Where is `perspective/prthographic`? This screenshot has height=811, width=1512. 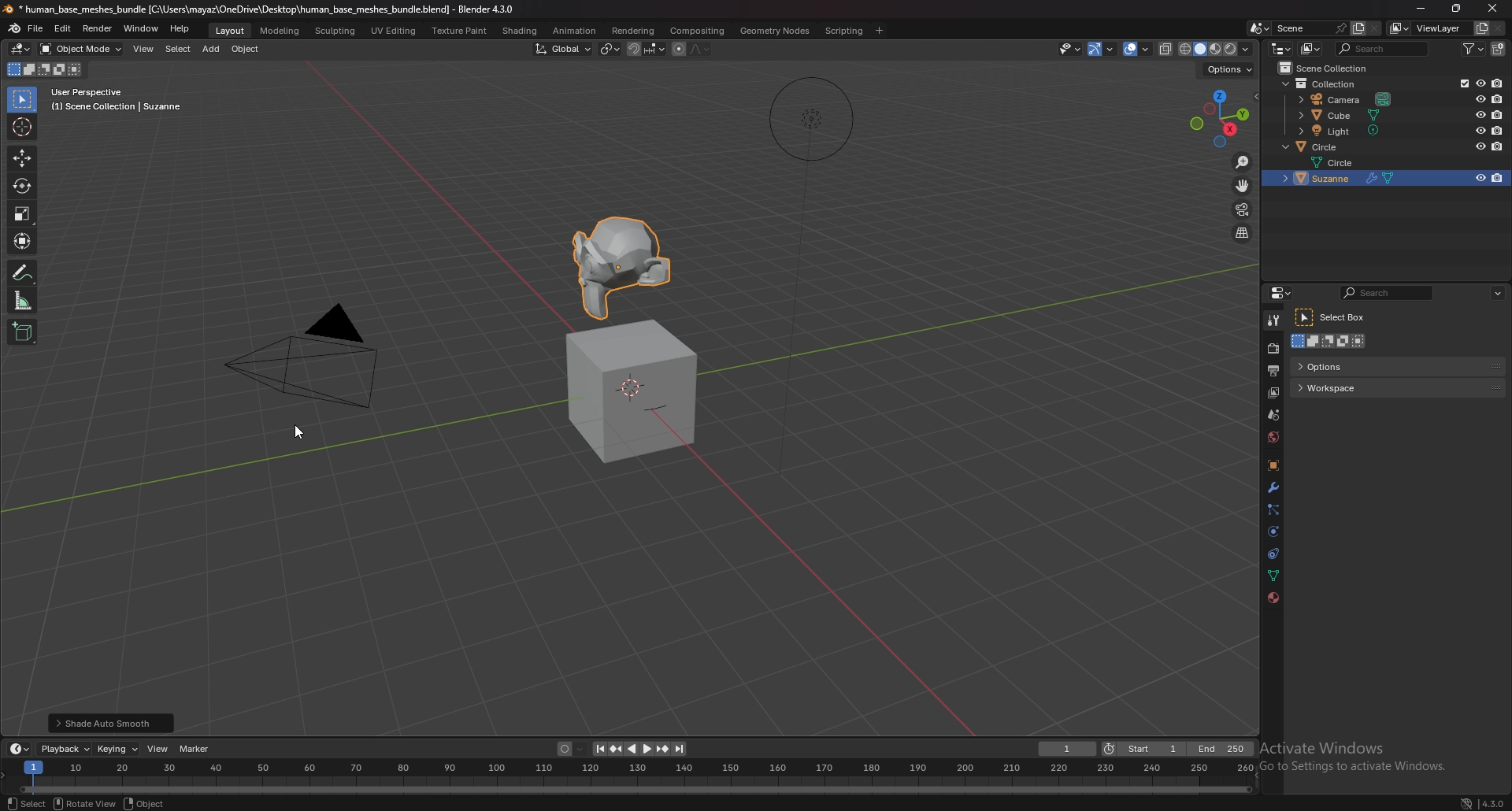 perspective/prthographic is located at coordinates (1243, 233).